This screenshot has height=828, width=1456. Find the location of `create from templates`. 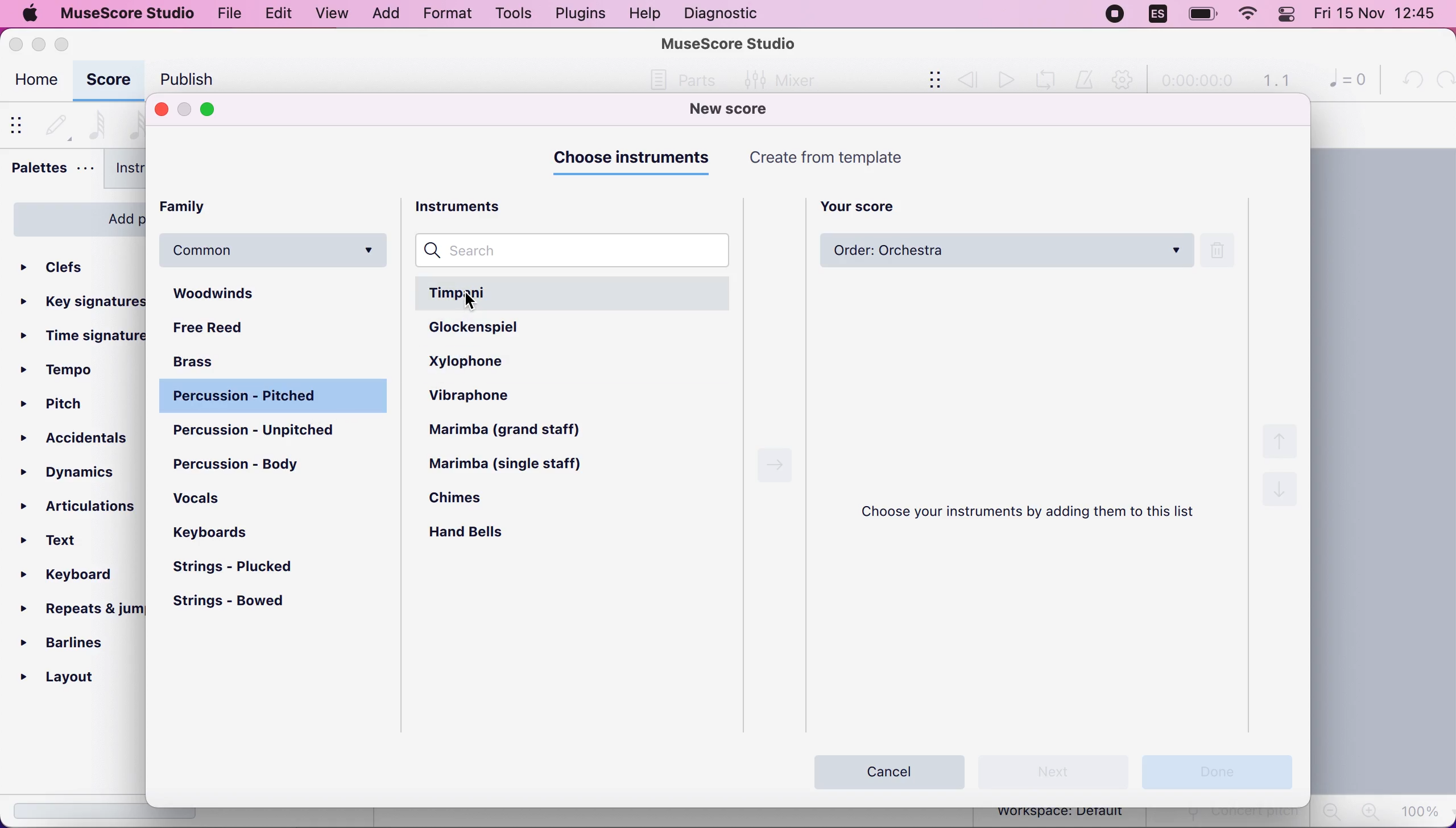

create from templates is located at coordinates (852, 158).